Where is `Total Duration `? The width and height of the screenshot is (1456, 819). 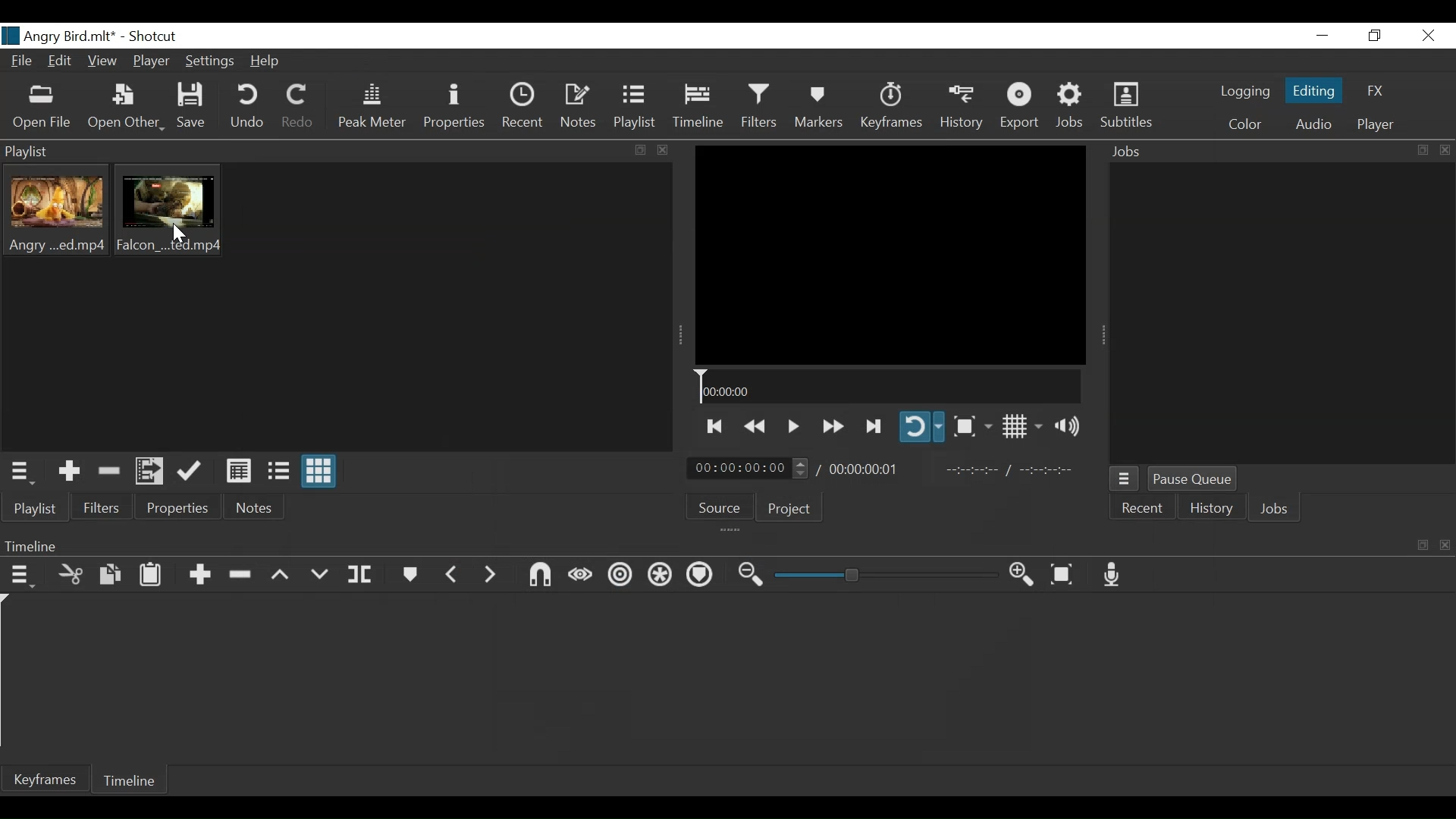 Total Duration  is located at coordinates (861, 469).